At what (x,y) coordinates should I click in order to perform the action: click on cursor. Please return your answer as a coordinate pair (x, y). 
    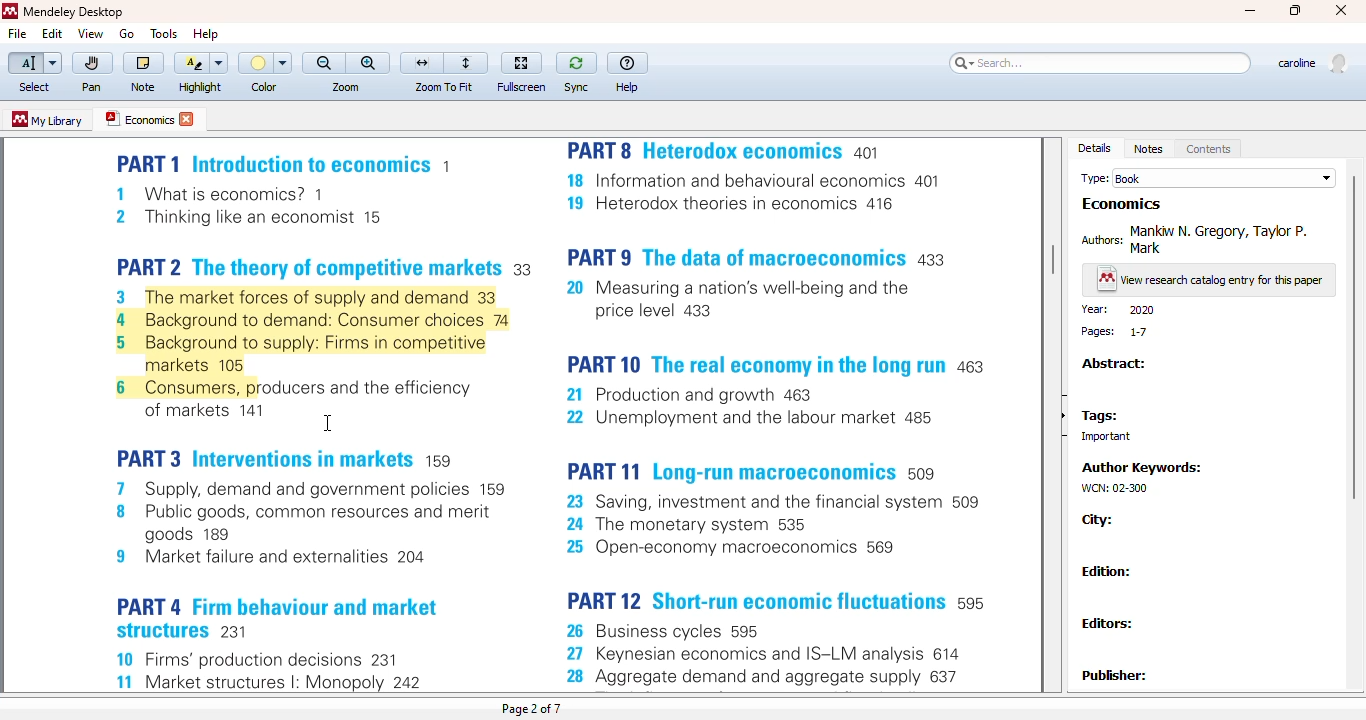
    Looking at the image, I should click on (326, 423).